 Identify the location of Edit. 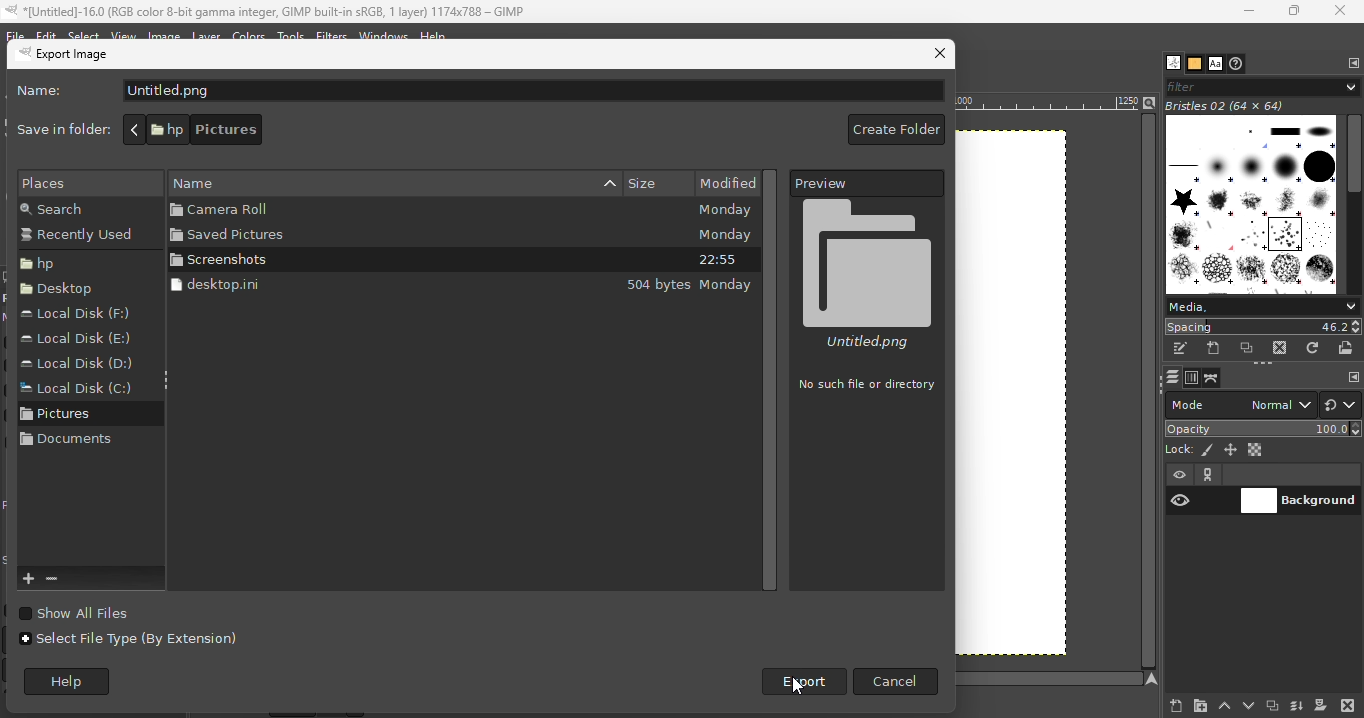
(45, 33).